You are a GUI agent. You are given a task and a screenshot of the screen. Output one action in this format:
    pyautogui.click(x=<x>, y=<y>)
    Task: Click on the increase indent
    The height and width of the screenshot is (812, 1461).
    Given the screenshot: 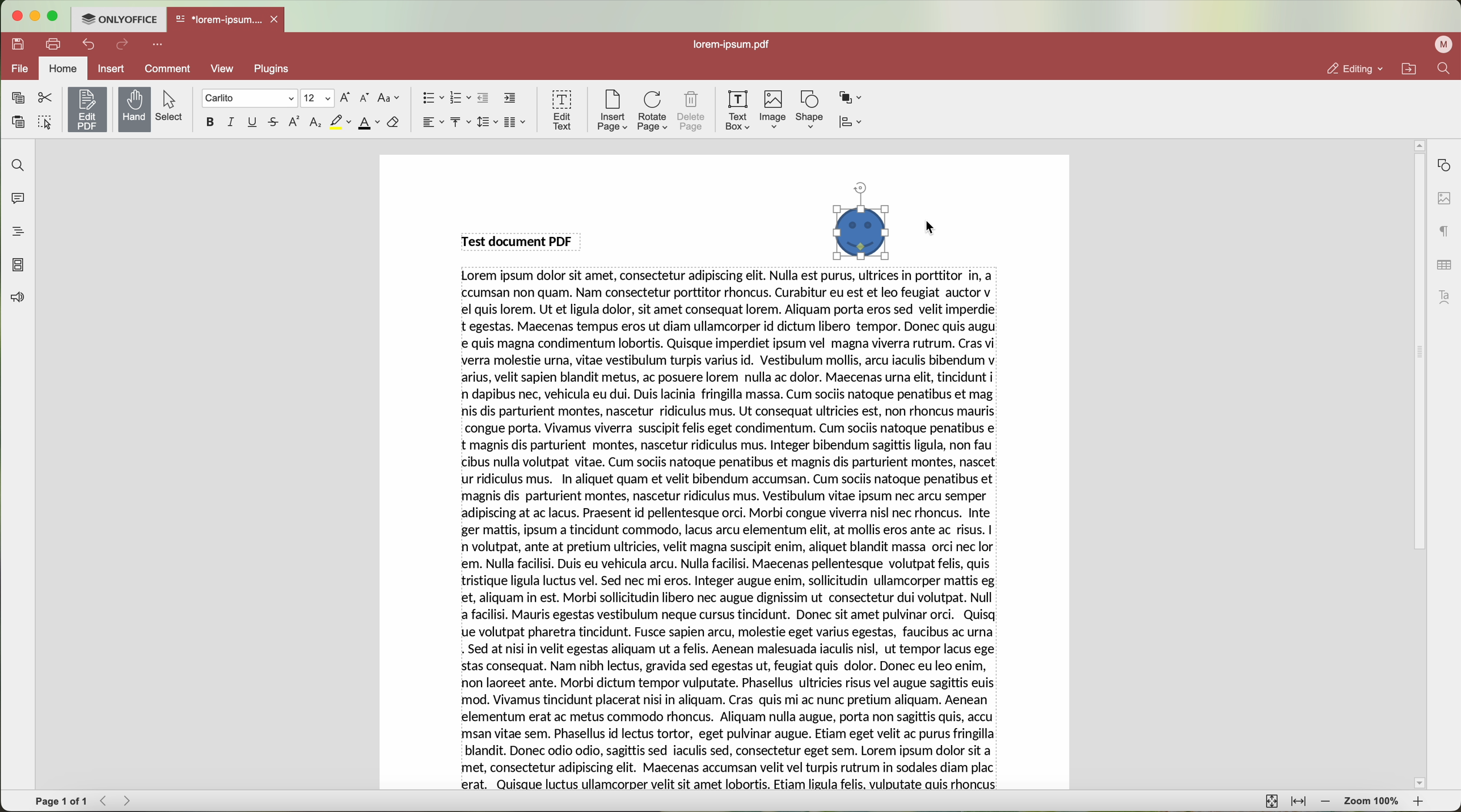 What is the action you would take?
    pyautogui.click(x=509, y=99)
    